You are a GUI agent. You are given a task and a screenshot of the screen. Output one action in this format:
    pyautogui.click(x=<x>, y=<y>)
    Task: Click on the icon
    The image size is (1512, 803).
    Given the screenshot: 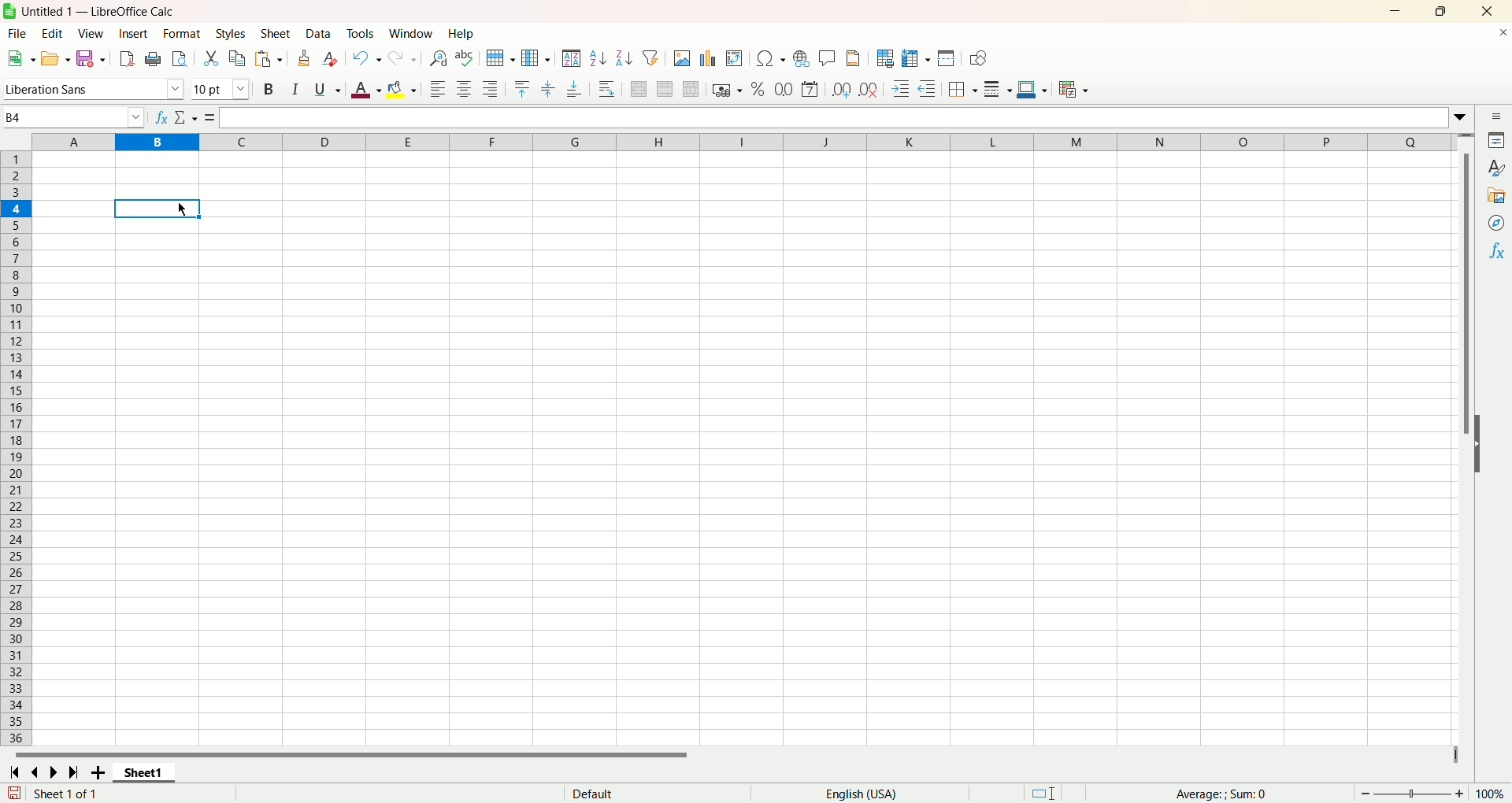 What is the action you would take?
    pyautogui.click(x=13, y=13)
    